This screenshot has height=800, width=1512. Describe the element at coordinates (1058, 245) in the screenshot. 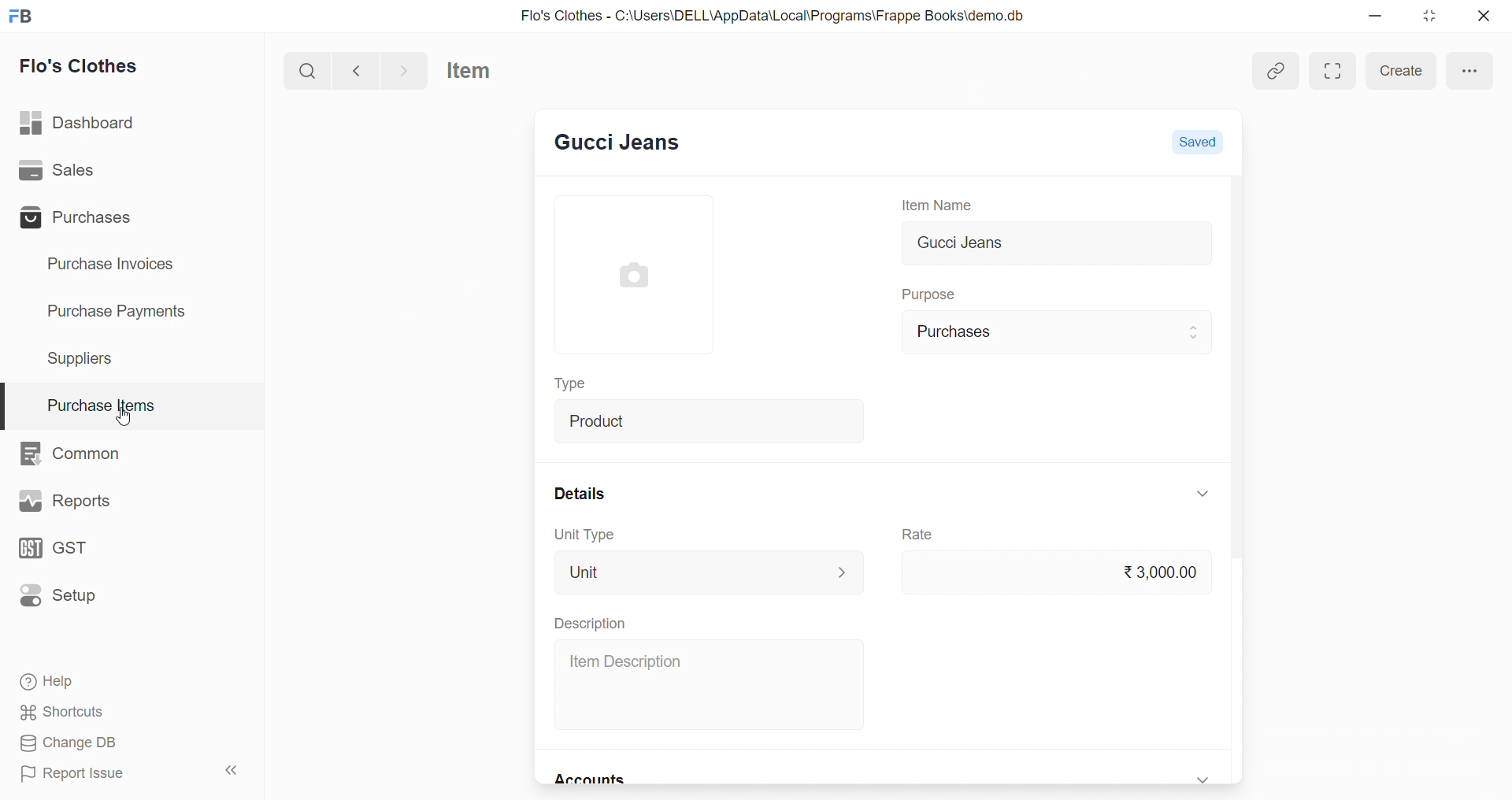

I see `Gucci Jeans` at that location.